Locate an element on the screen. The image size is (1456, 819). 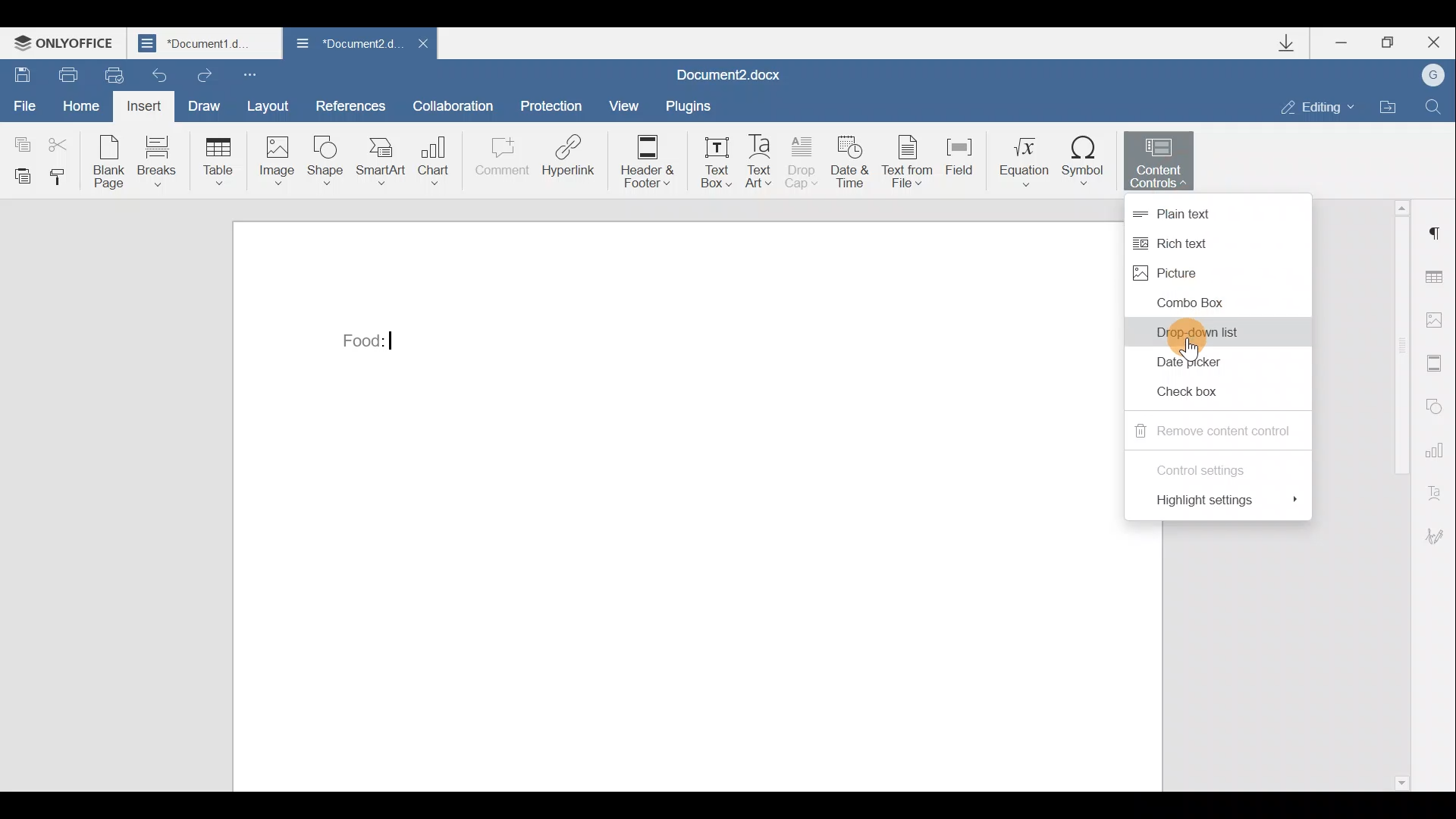
Document1 d.. is located at coordinates (206, 42).